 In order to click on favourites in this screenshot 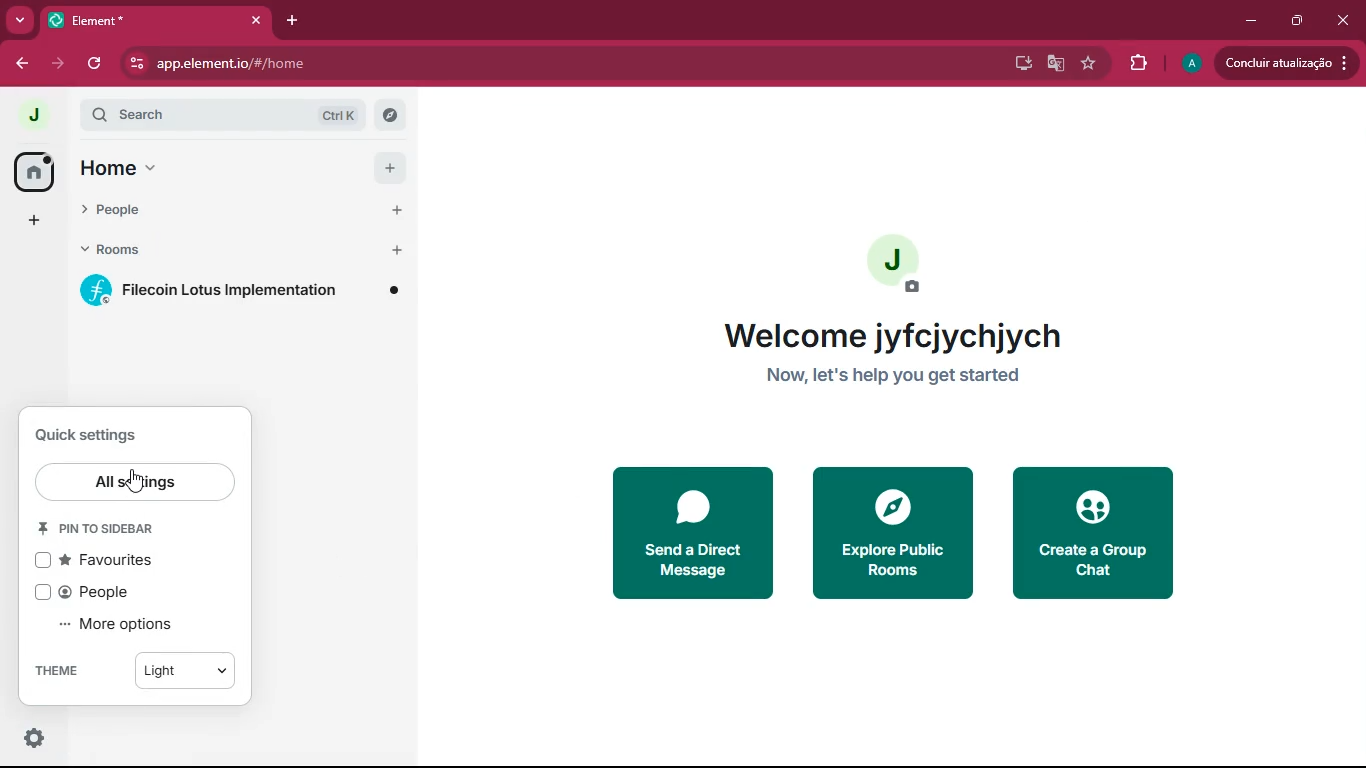, I will do `click(108, 564)`.